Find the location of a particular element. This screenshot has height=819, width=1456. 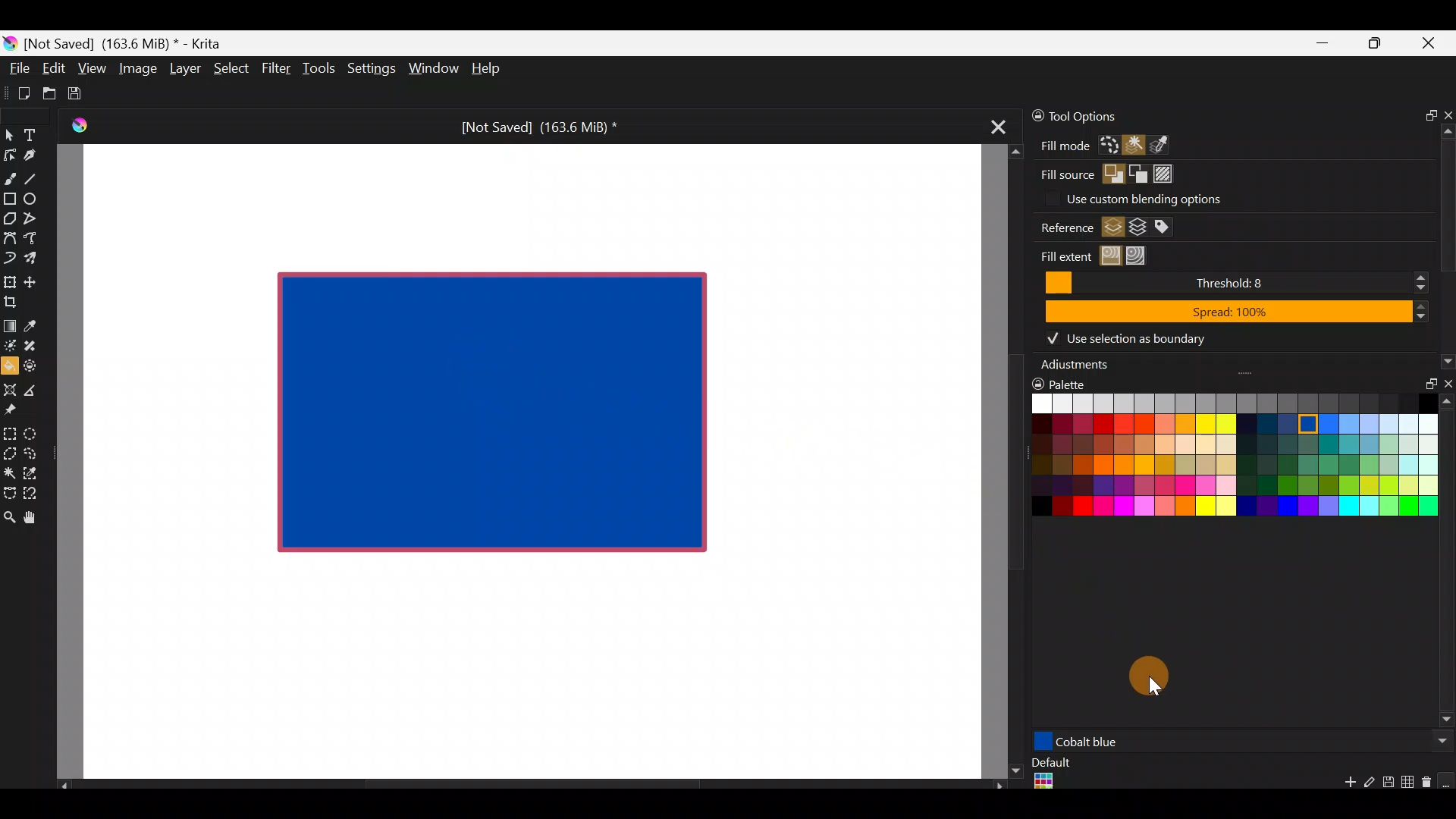

Use custom blending options is located at coordinates (1174, 198).